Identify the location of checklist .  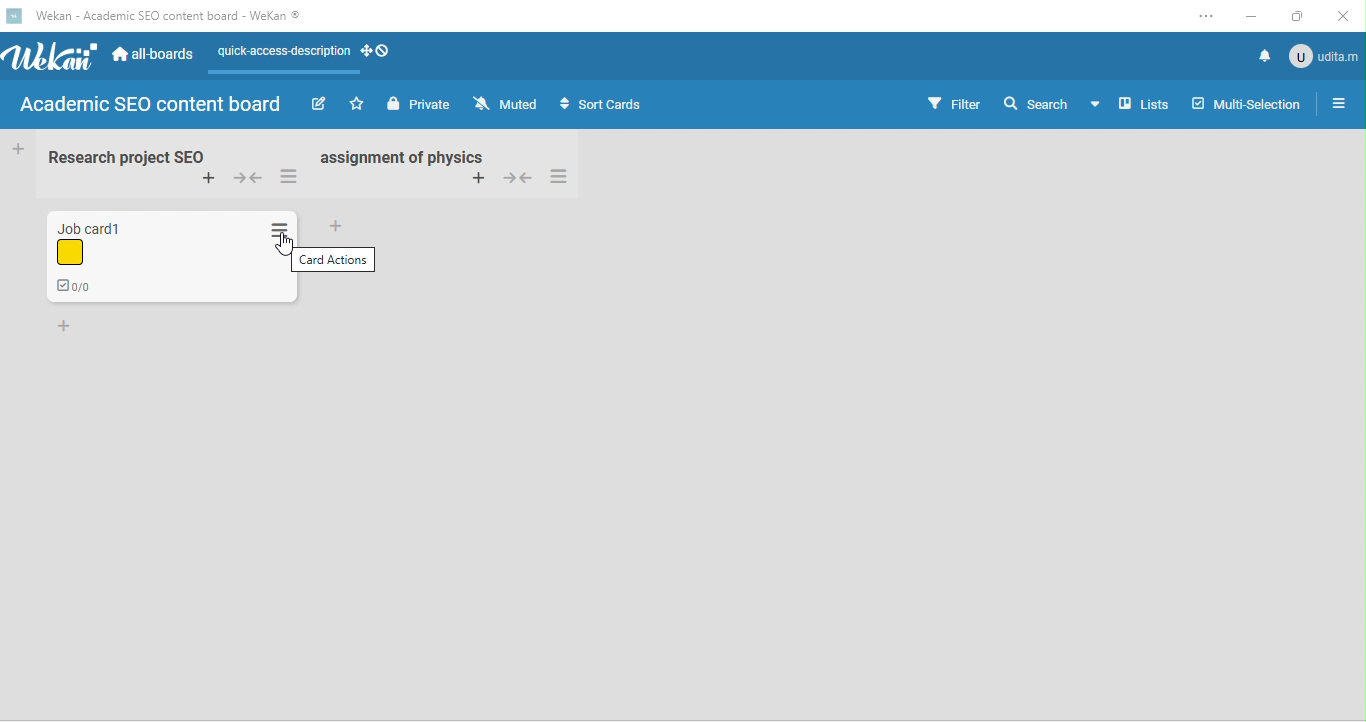
(74, 287).